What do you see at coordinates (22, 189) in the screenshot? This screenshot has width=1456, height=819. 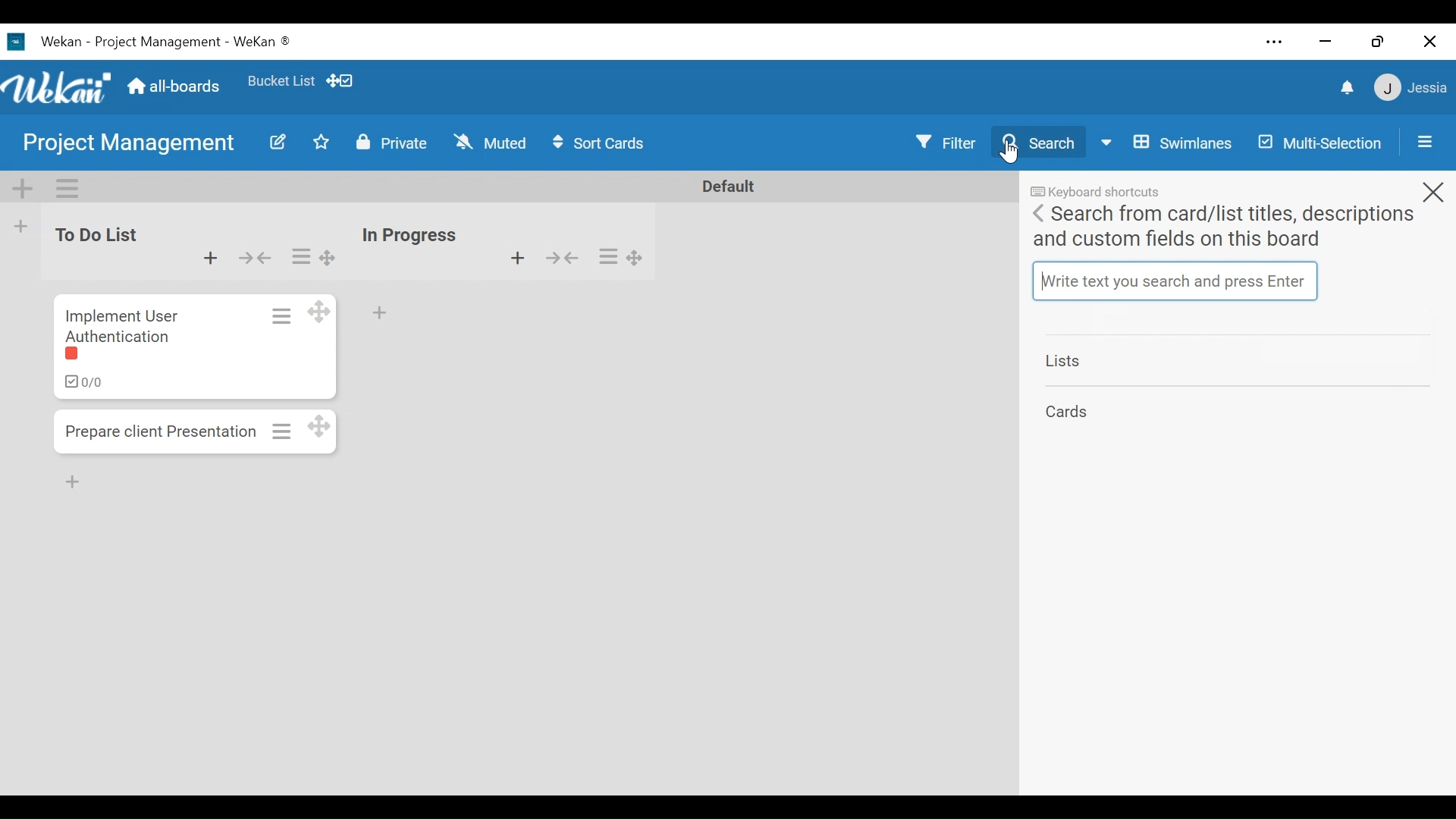 I see `Add Swimlane` at bounding box center [22, 189].